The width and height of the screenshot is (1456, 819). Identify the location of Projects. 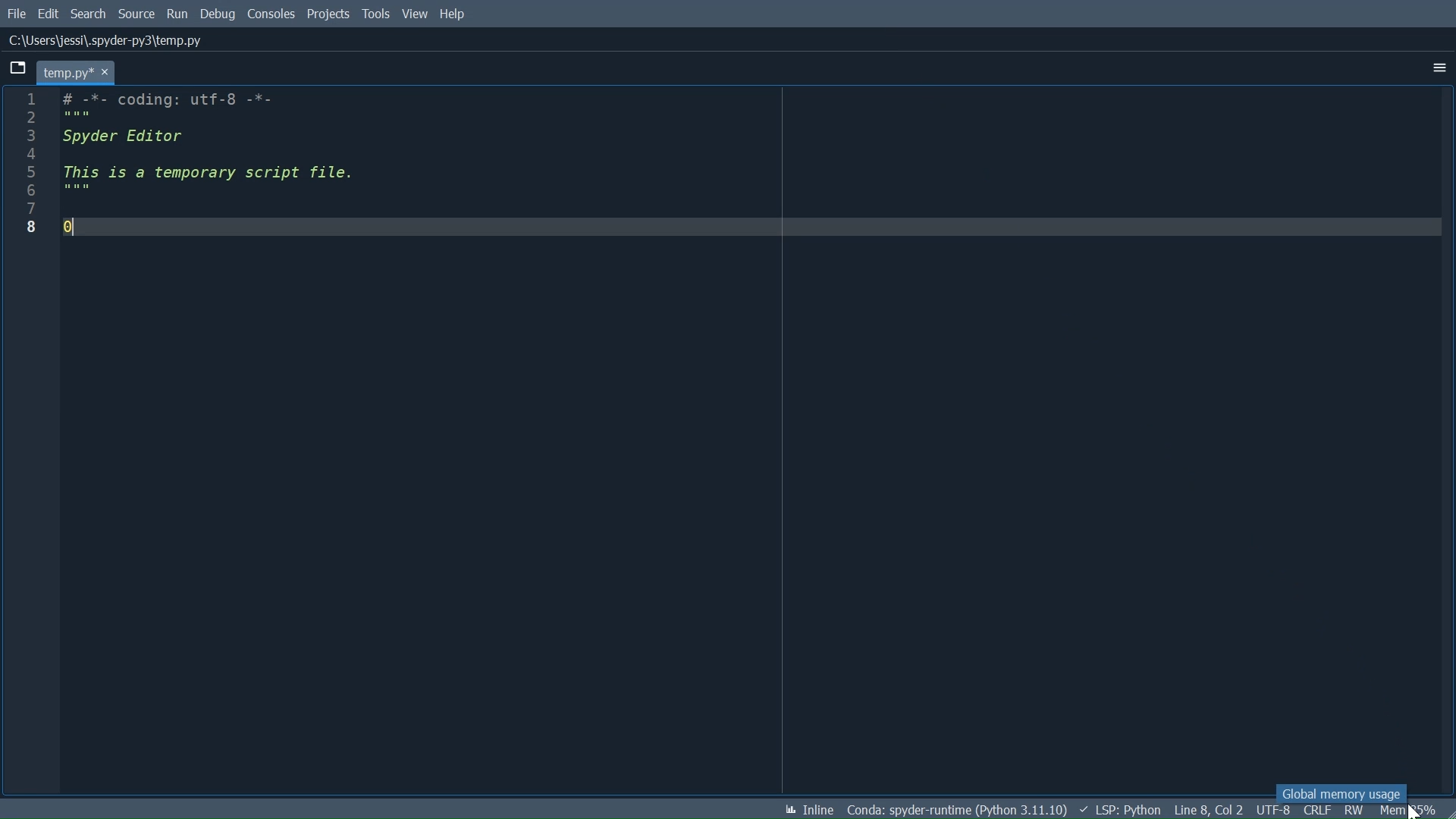
(329, 14).